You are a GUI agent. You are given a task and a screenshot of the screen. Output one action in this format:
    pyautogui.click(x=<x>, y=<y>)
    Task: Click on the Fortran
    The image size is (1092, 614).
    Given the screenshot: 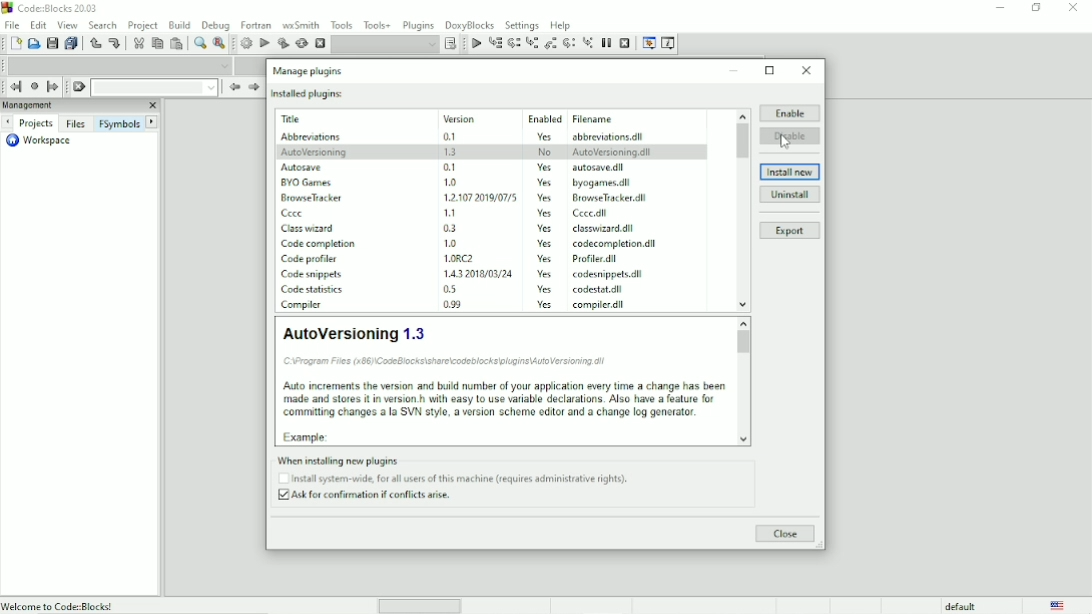 What is the action you would take?
    pyautogui.click(x=256, y=25)
    